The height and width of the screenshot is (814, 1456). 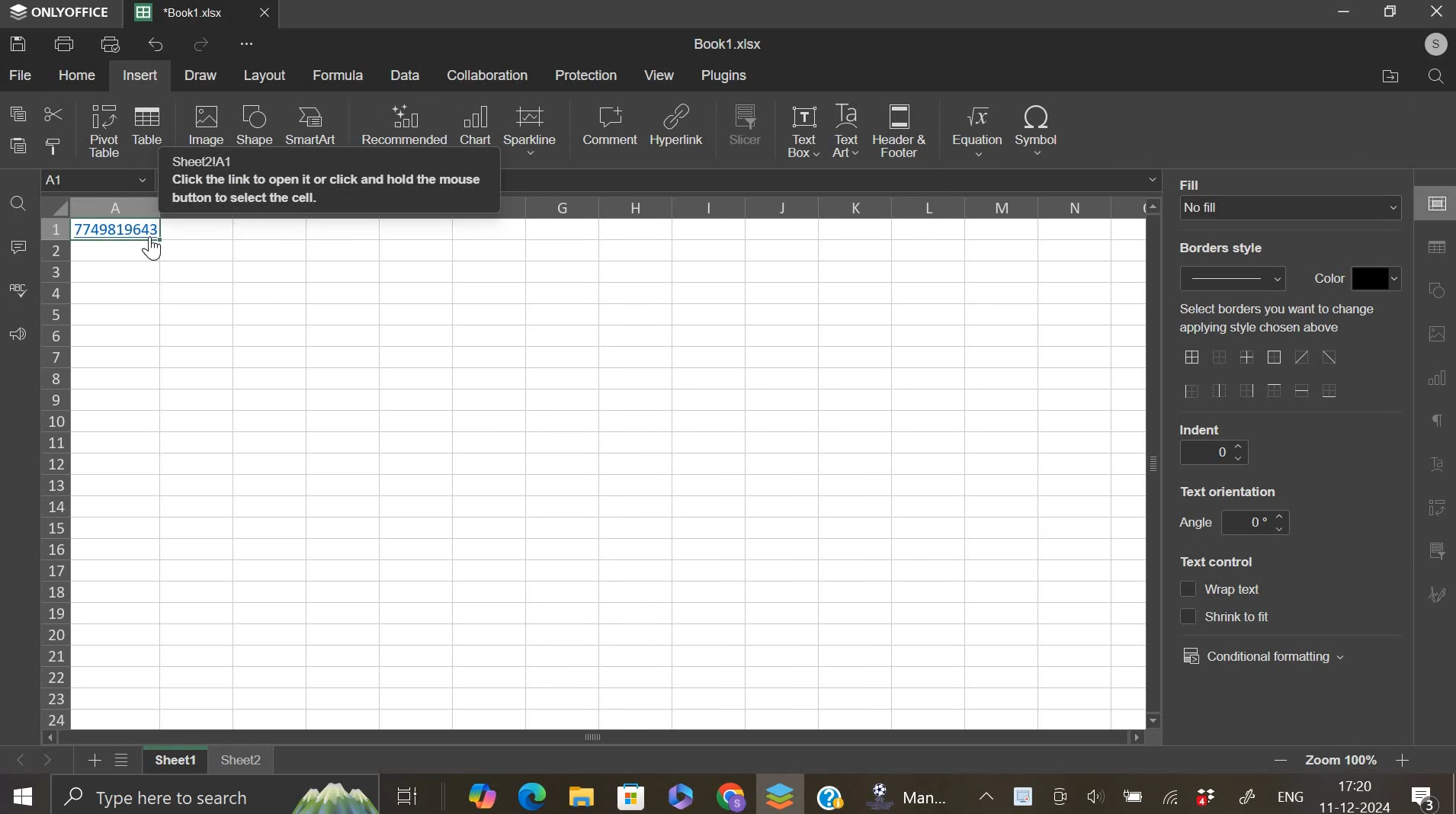 What do you see at coordinates (475, 126) in the screenshot?
I see `chart` at bounding box center [475, 126].